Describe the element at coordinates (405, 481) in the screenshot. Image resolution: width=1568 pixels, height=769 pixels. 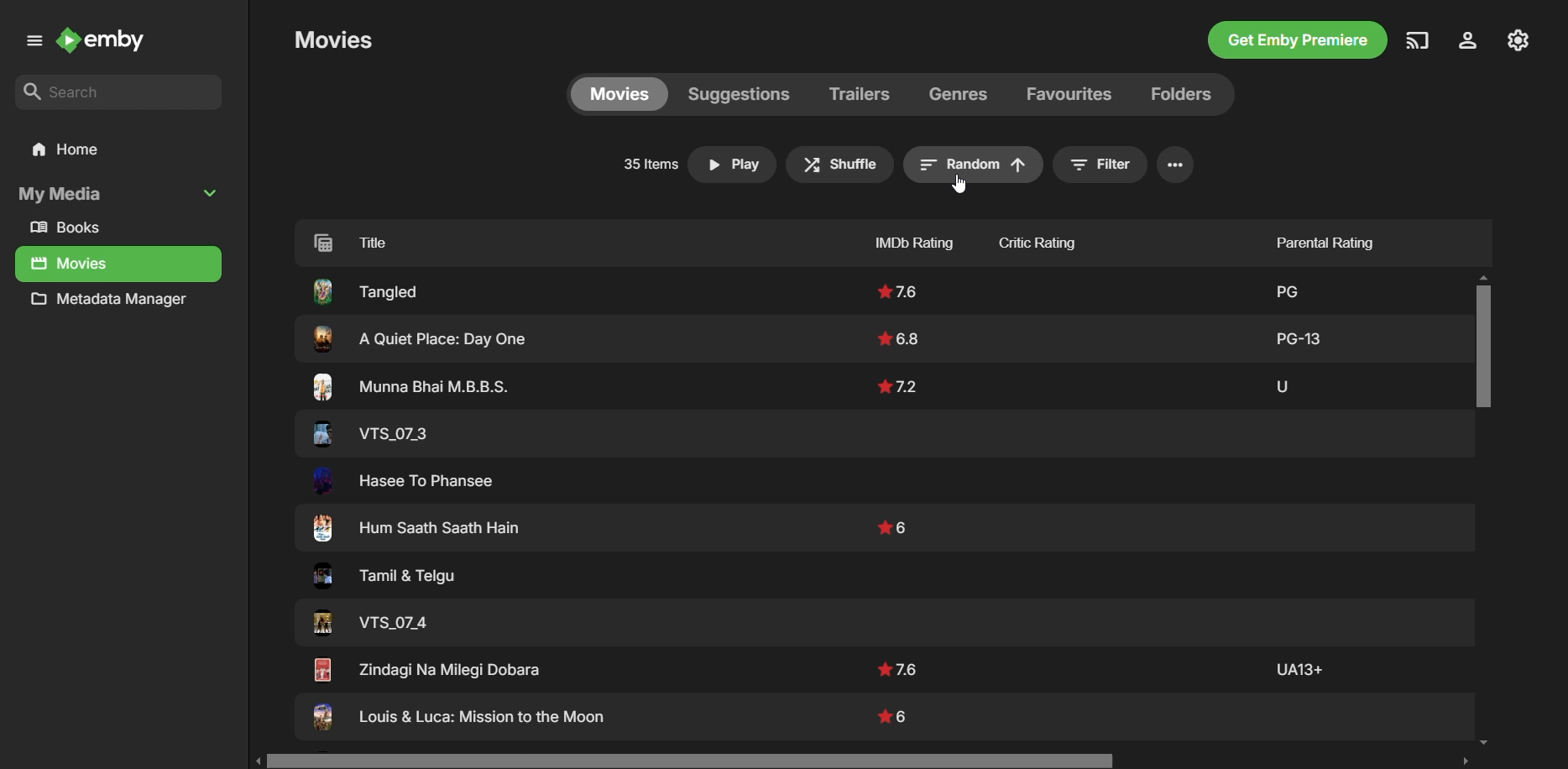
I see `` at that location.